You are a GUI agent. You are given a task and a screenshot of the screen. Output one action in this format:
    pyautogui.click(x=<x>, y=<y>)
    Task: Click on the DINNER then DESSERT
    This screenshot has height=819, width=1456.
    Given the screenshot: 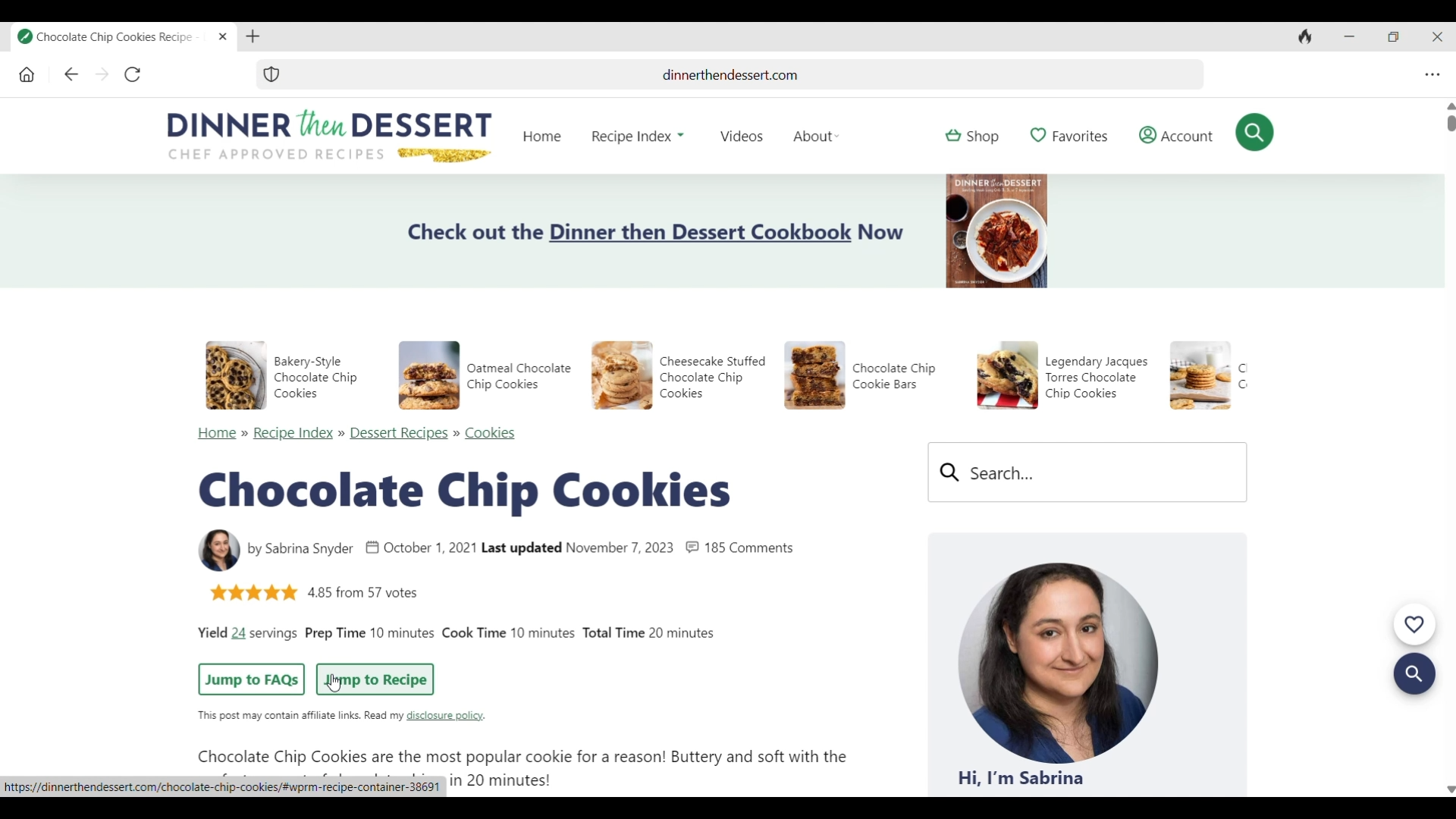 What is the action you would take?
    pyautogui.click(x=329, y=123)
    